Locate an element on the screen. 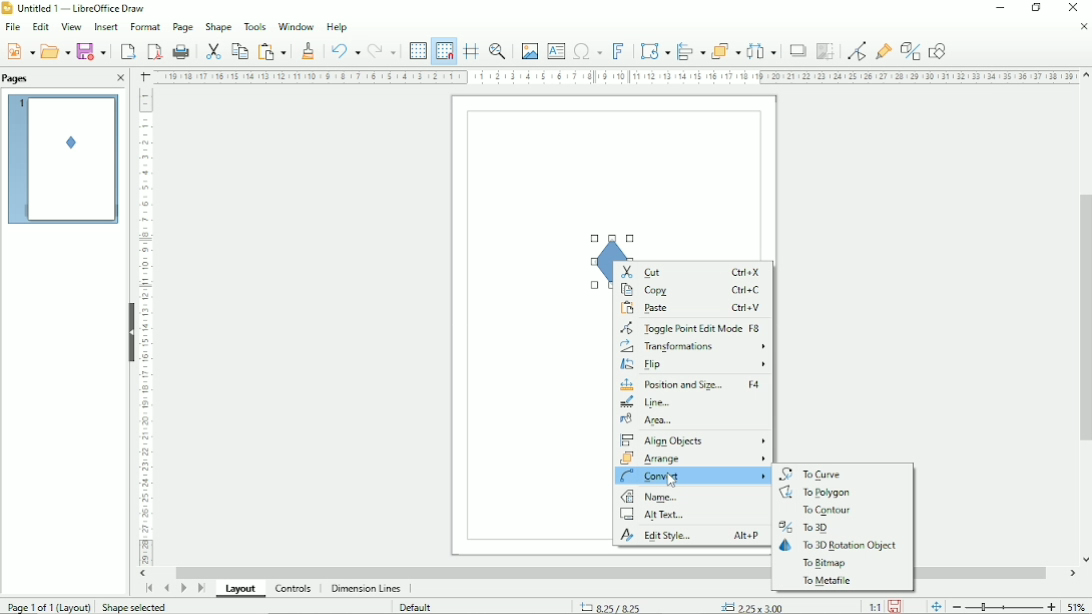 This screenshot has width=1092, height=614. Arrange is located at coordinates (725, 50).